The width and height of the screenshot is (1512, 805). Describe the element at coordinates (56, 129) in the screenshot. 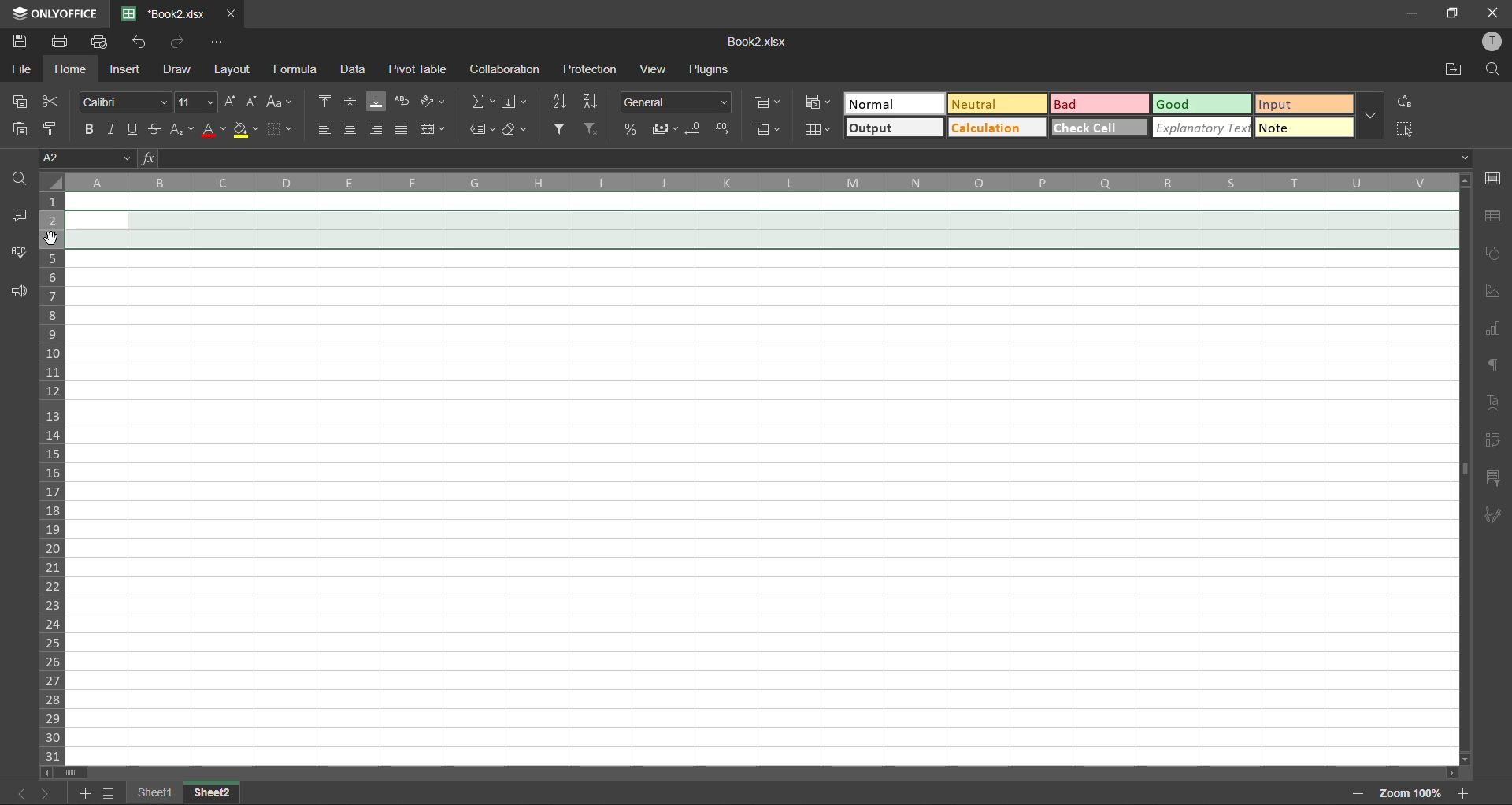

I see `copy style` at that location.